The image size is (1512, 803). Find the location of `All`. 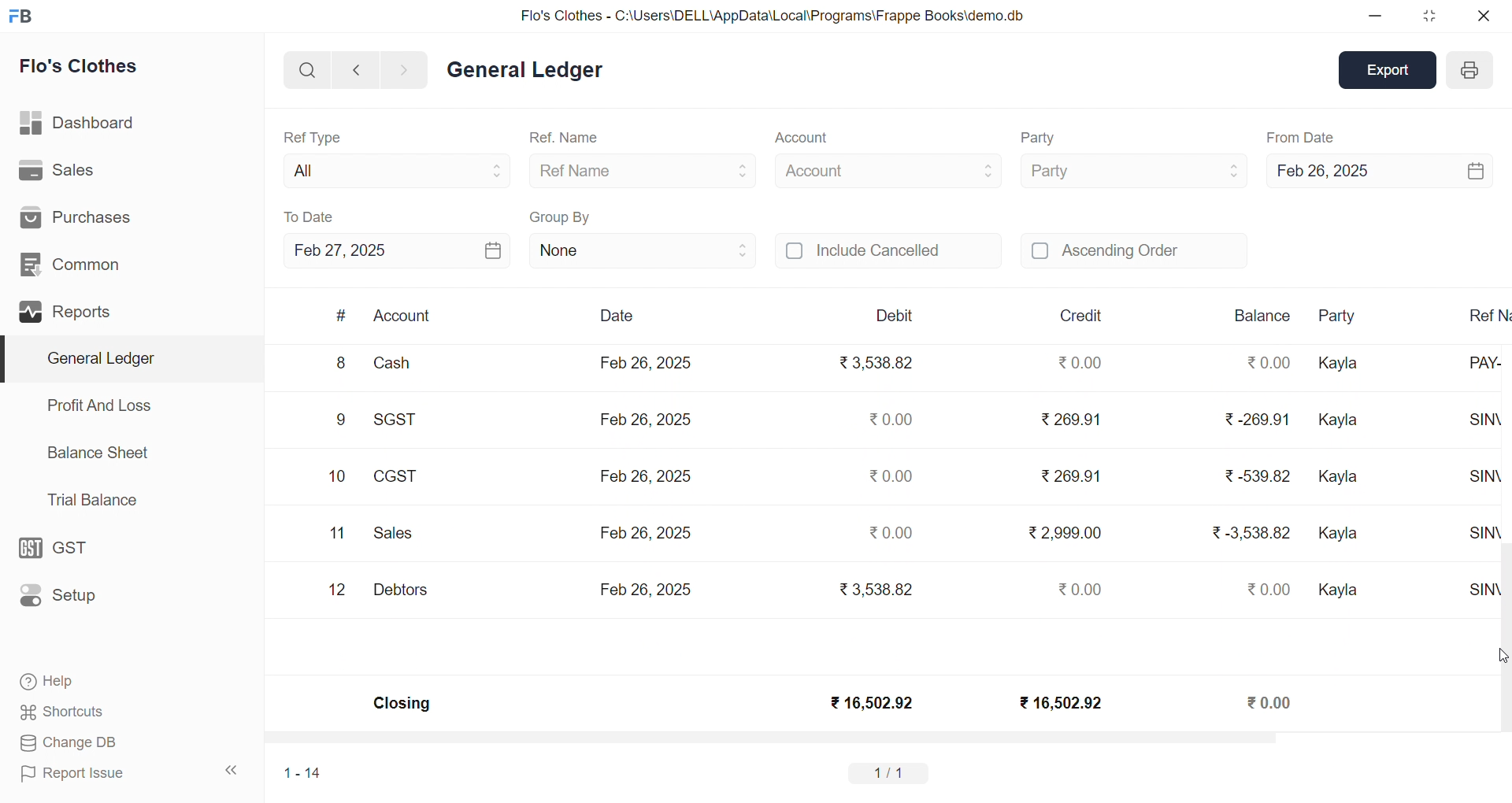

All is located at coordinates (392, 168).